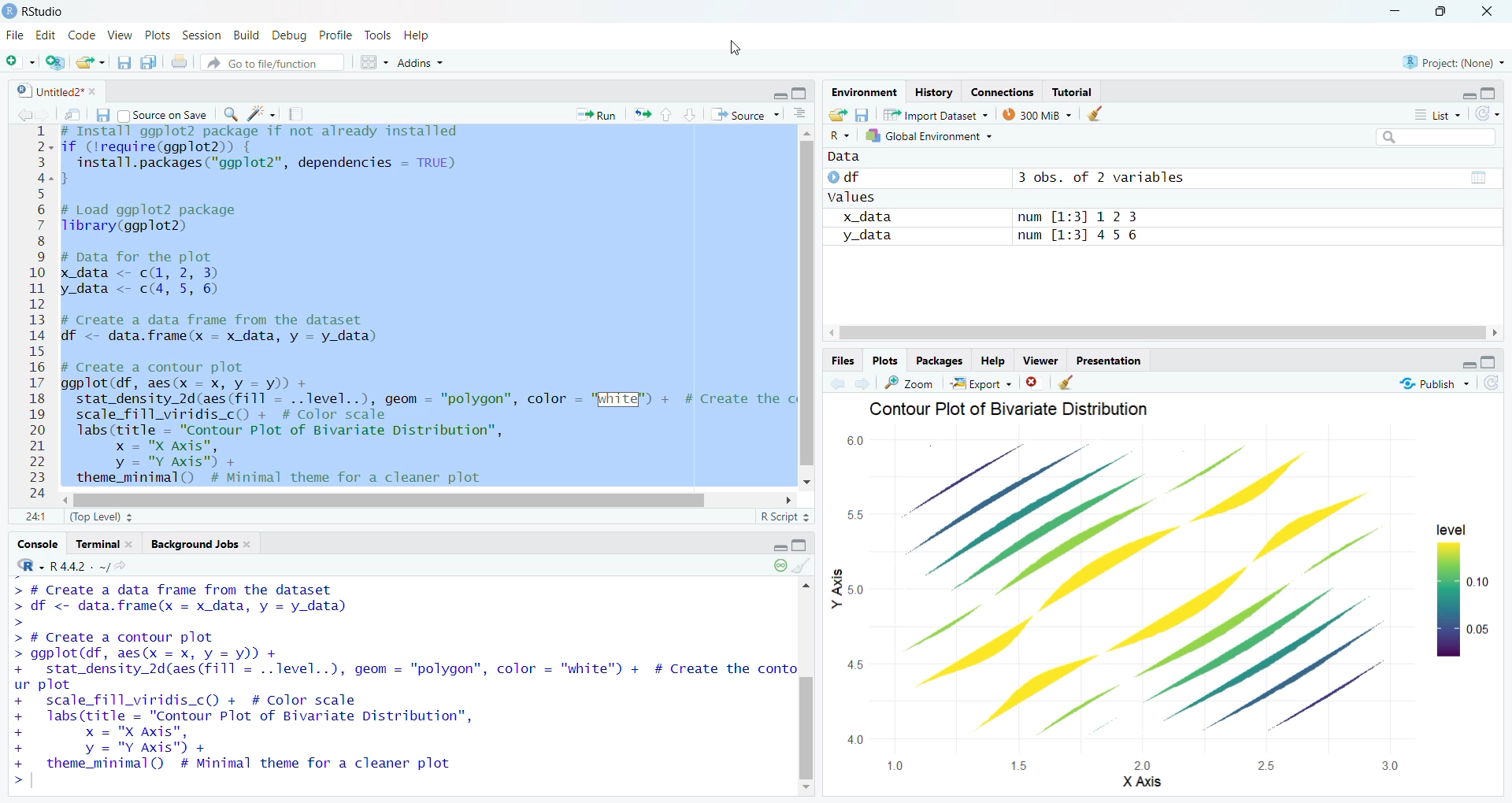 Image resolution: width=1512 pixels, height=803 pixels. Describe the element at coordinates (1466, 362) in the screenshot. I see `hide r script` at that location.